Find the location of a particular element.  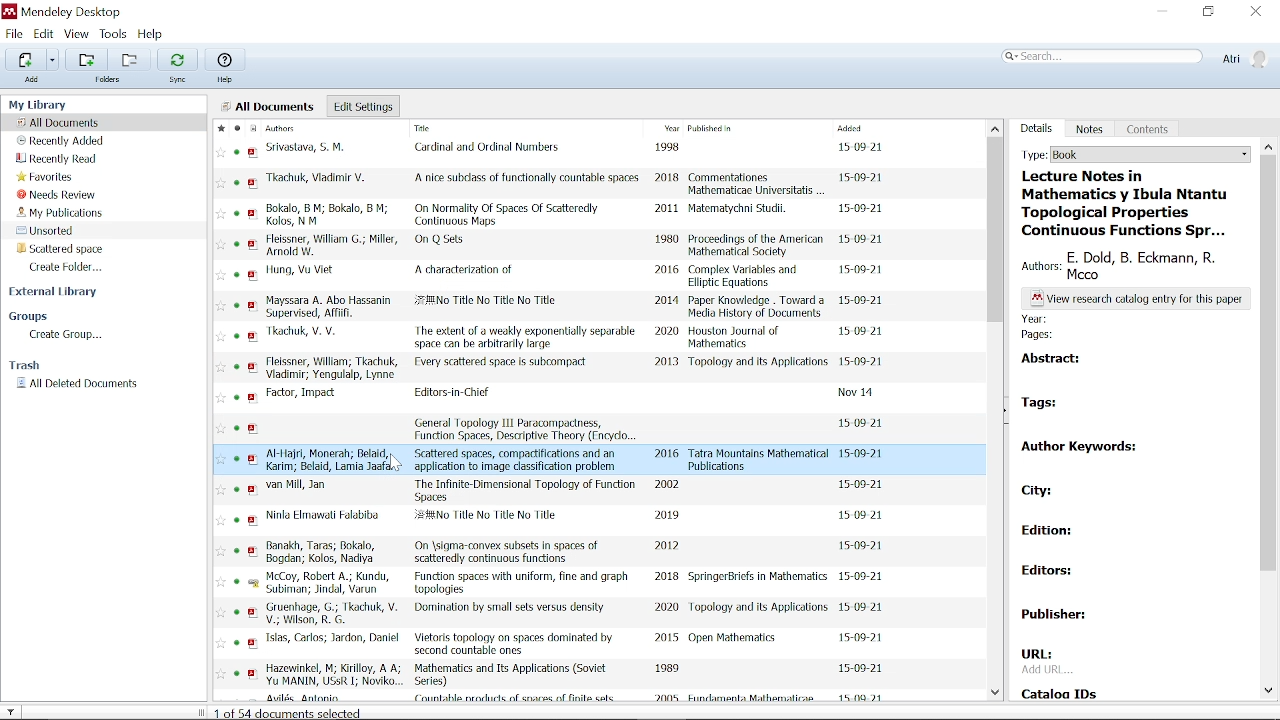

Vertical scrollbar for details is located at coordinates (1269, 362).